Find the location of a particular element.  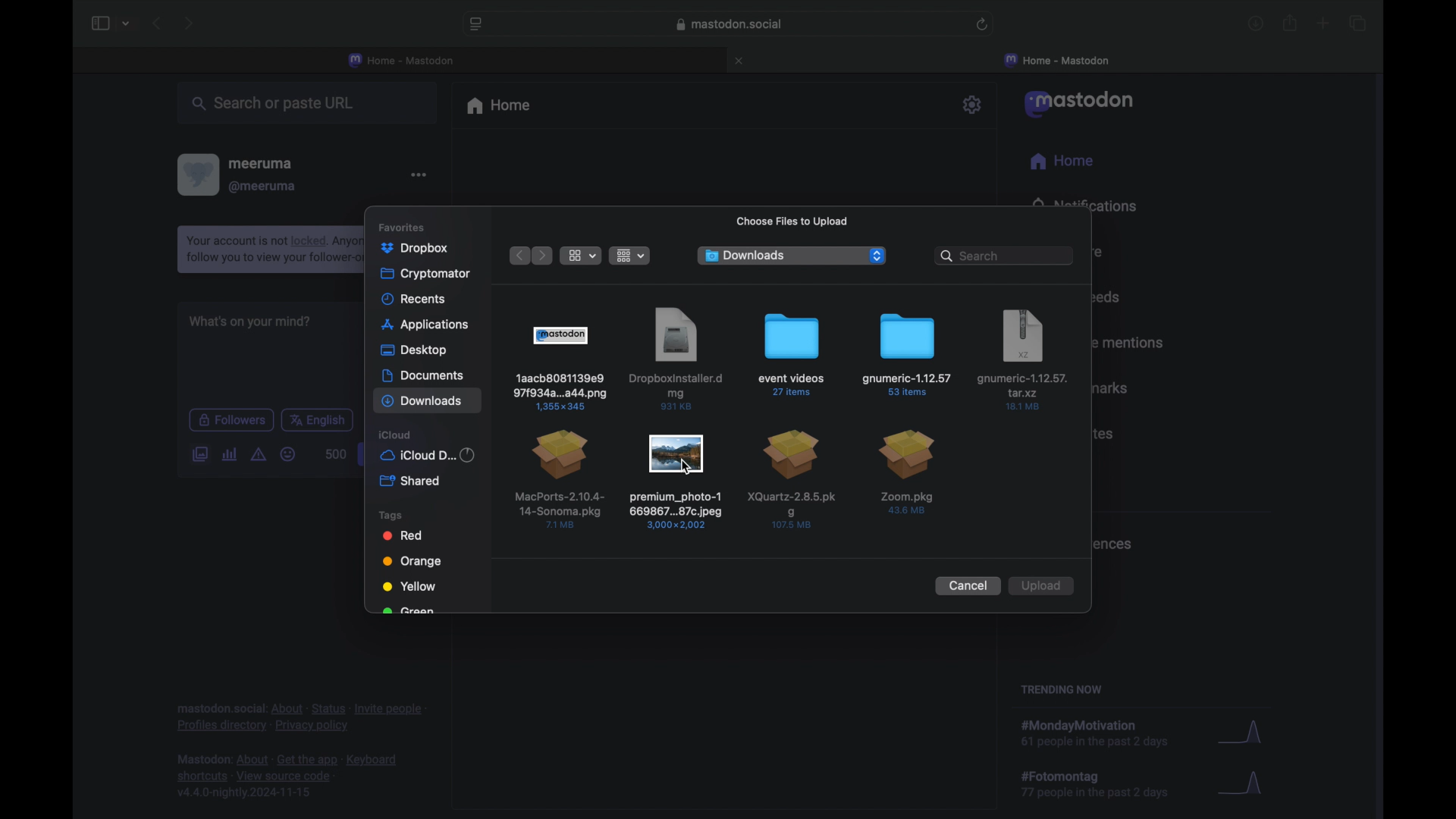

show tab overview is located at coordinates (1357, 23).